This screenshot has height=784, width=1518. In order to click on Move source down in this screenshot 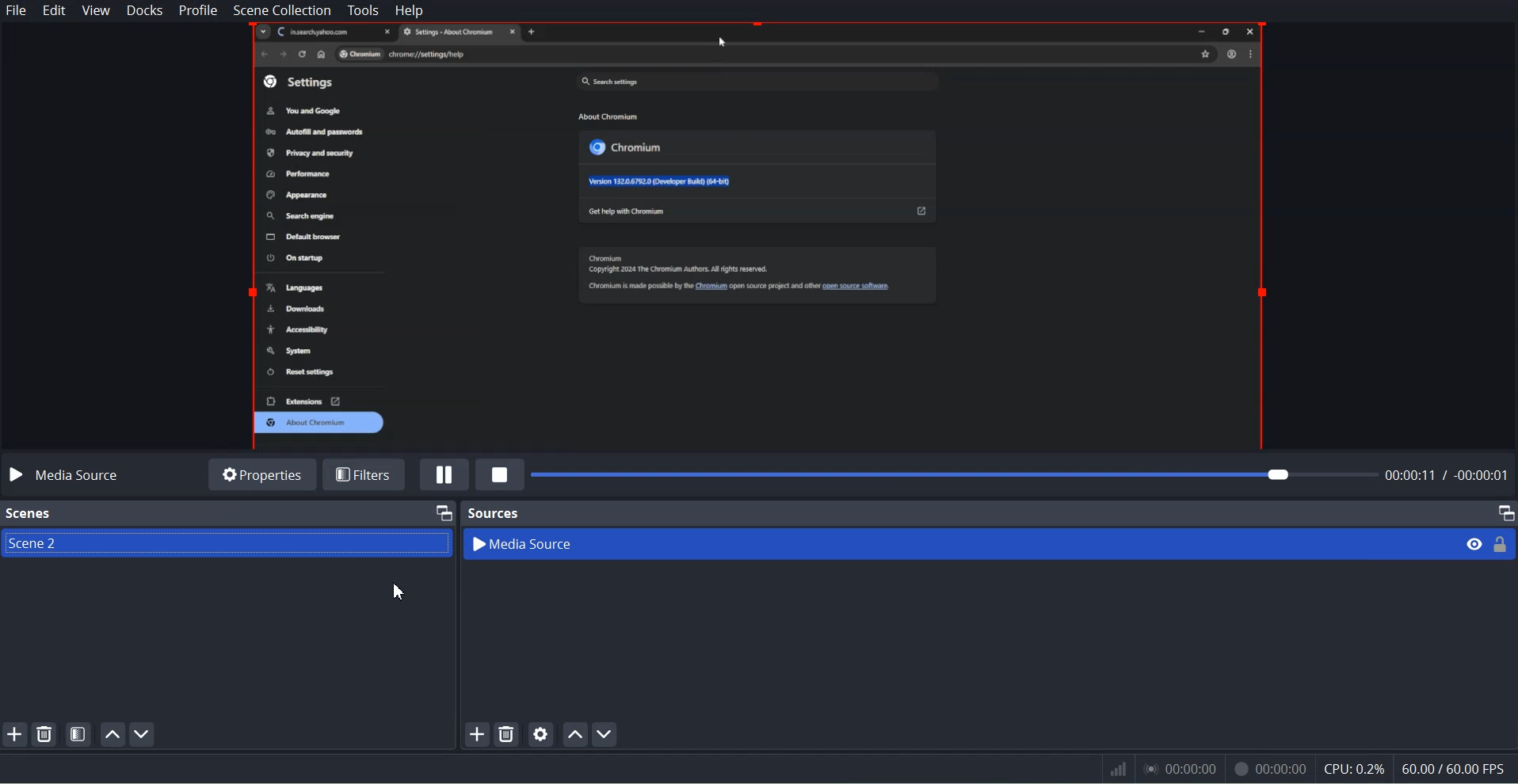, I will do `click(605, 734)`.